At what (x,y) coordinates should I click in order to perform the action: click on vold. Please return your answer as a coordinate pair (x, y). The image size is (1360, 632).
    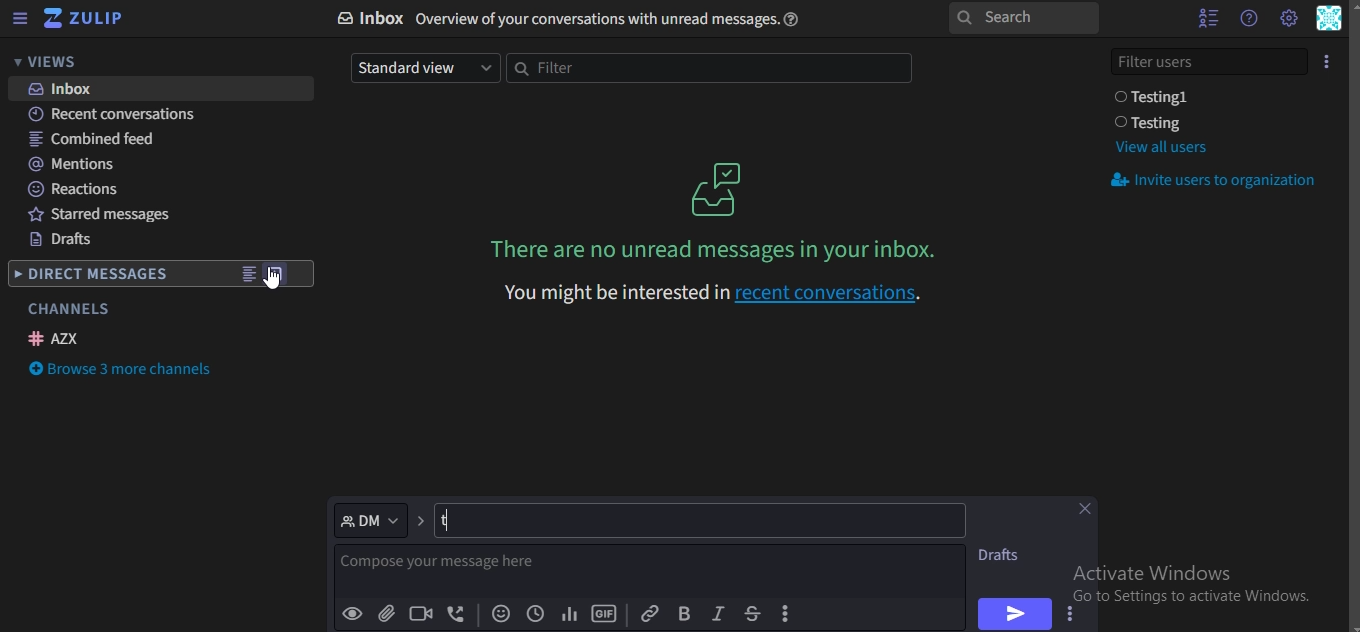
    Looking at the image, I should click on (684, 613).